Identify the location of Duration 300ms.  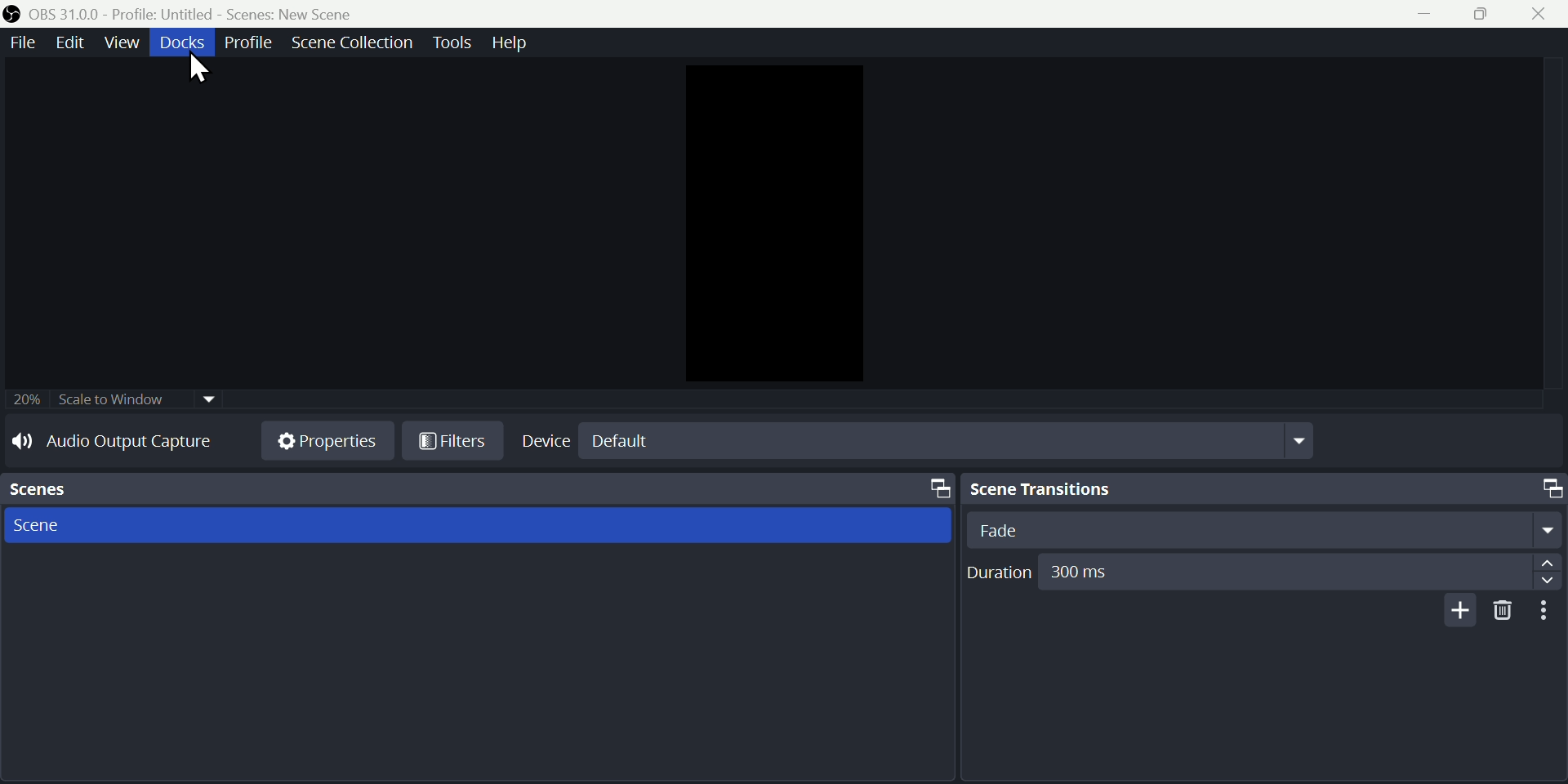
(1264, 570).